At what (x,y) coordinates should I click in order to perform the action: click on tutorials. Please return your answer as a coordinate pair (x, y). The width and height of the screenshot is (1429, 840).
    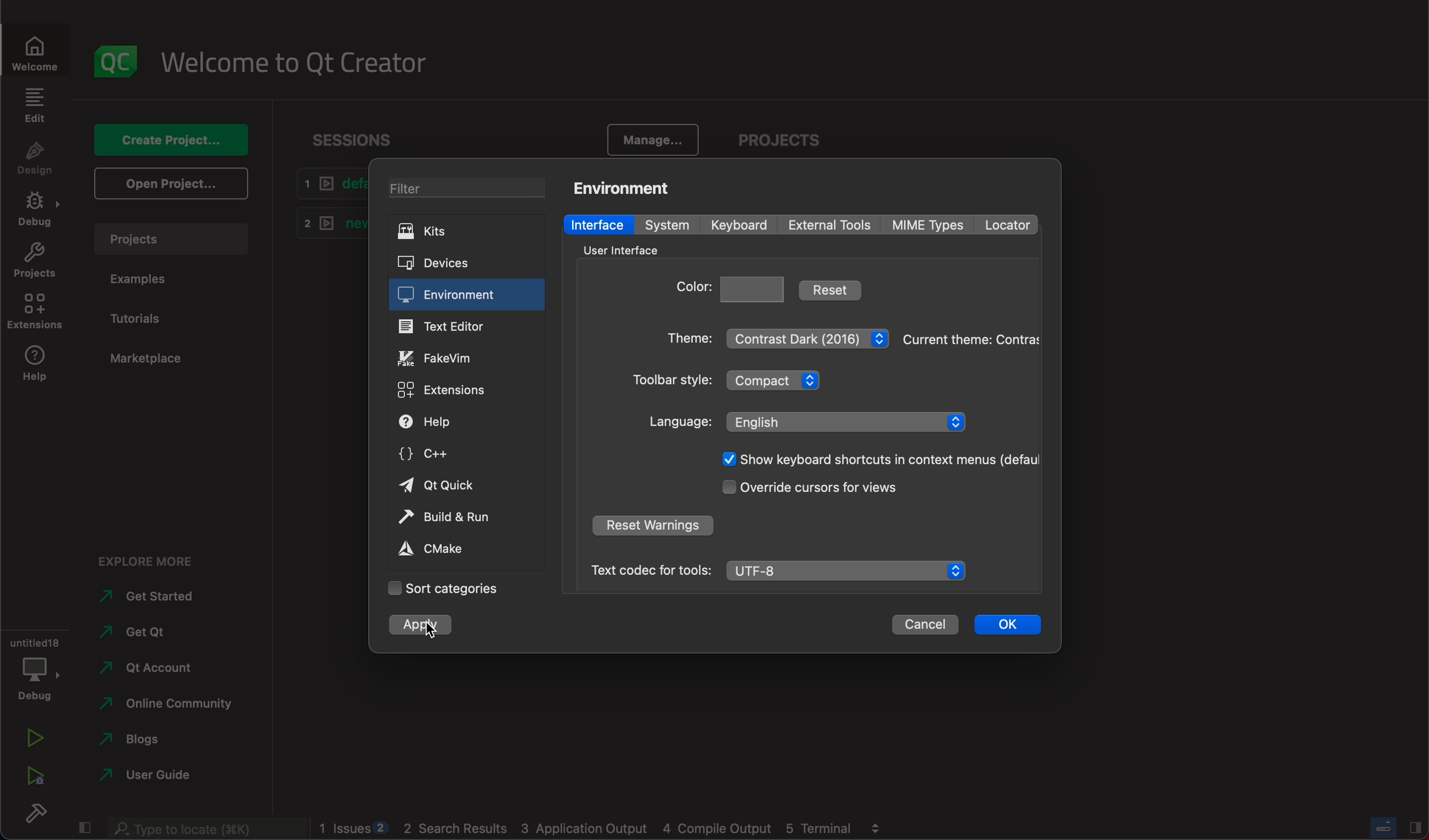
    Looking at the image, I should click on (143, 320).